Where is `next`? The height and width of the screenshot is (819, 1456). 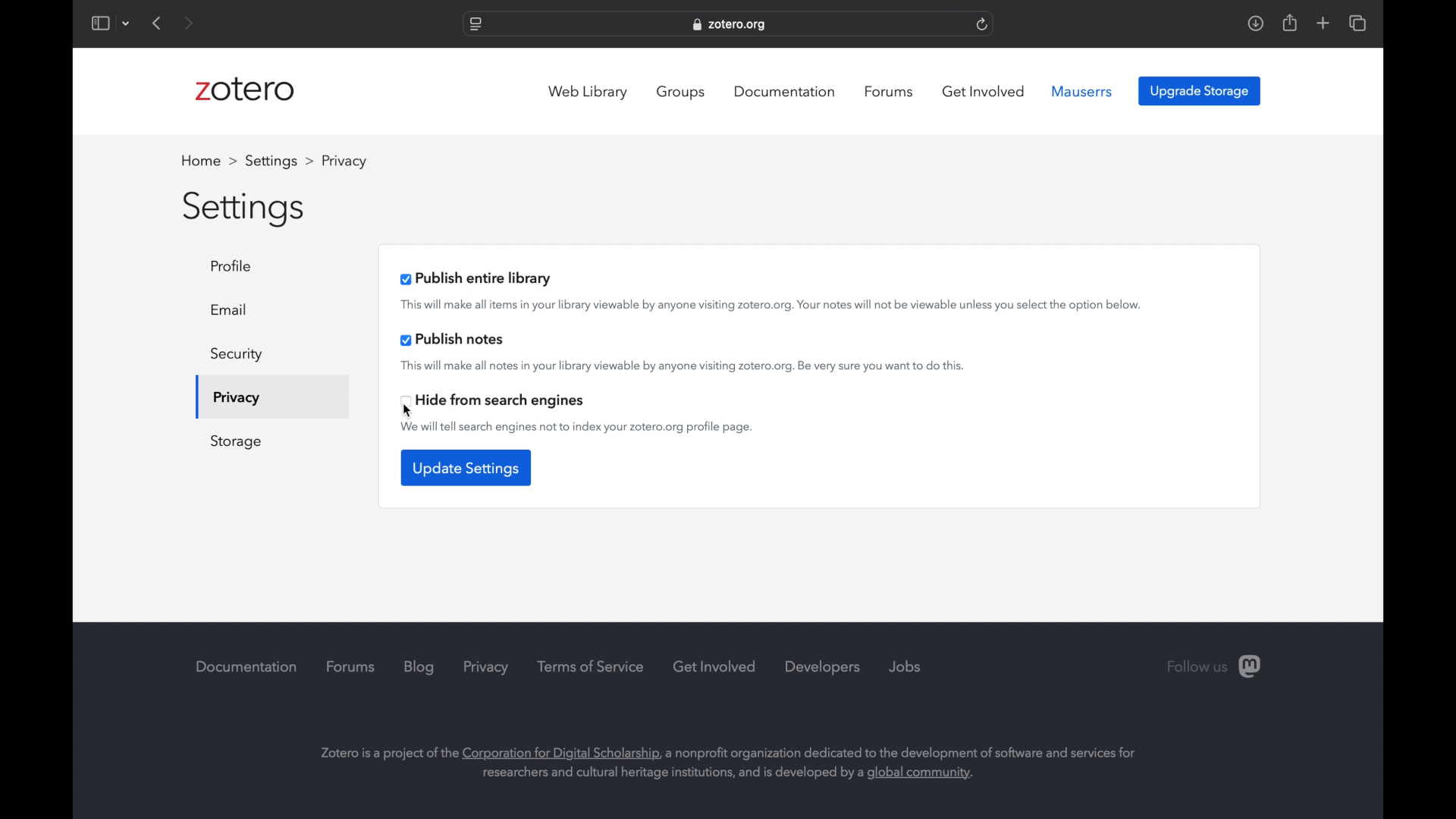 next is located at coordinates (190, 24).